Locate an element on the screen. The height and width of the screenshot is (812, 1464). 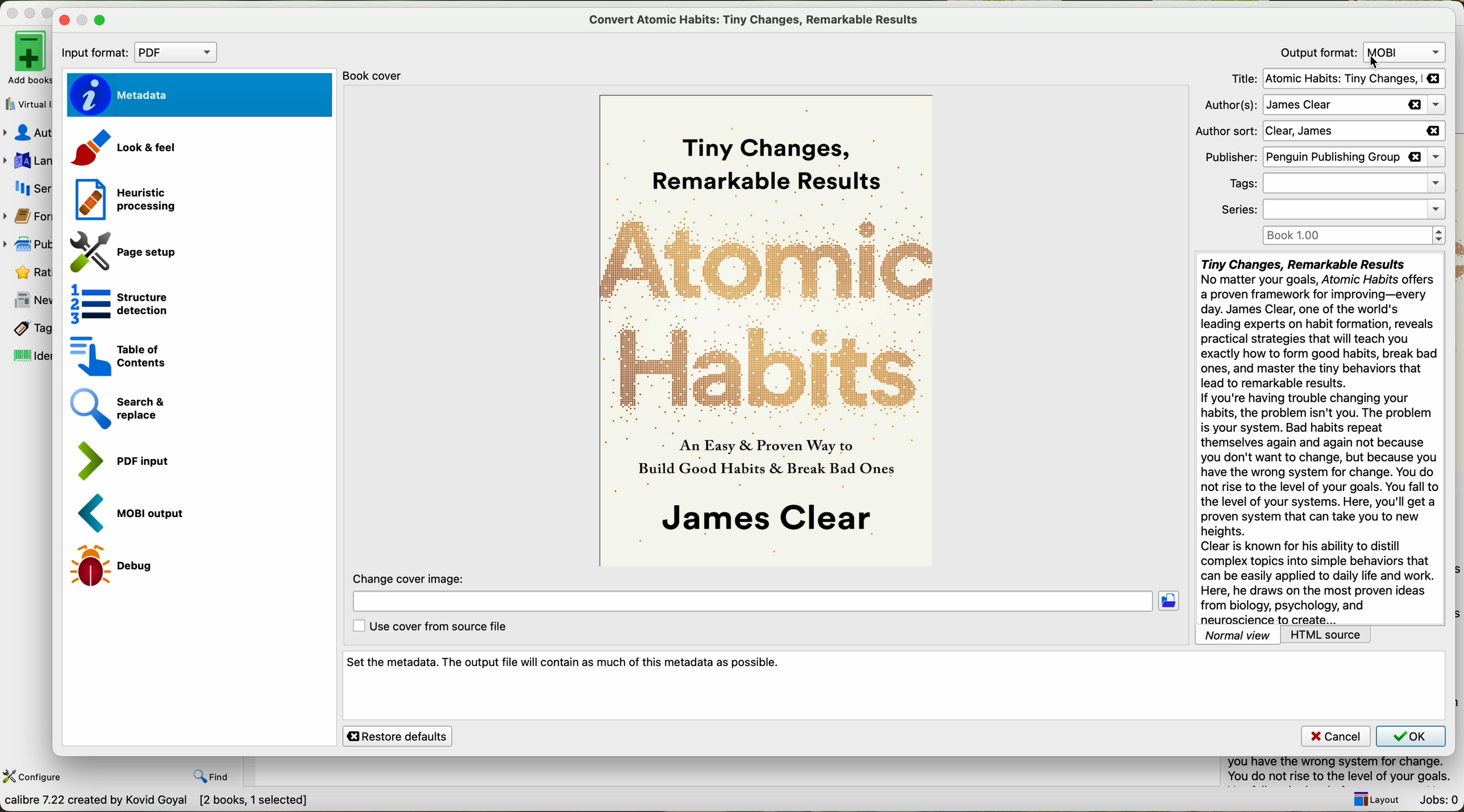
maximize is located at coordinates (102, 22).